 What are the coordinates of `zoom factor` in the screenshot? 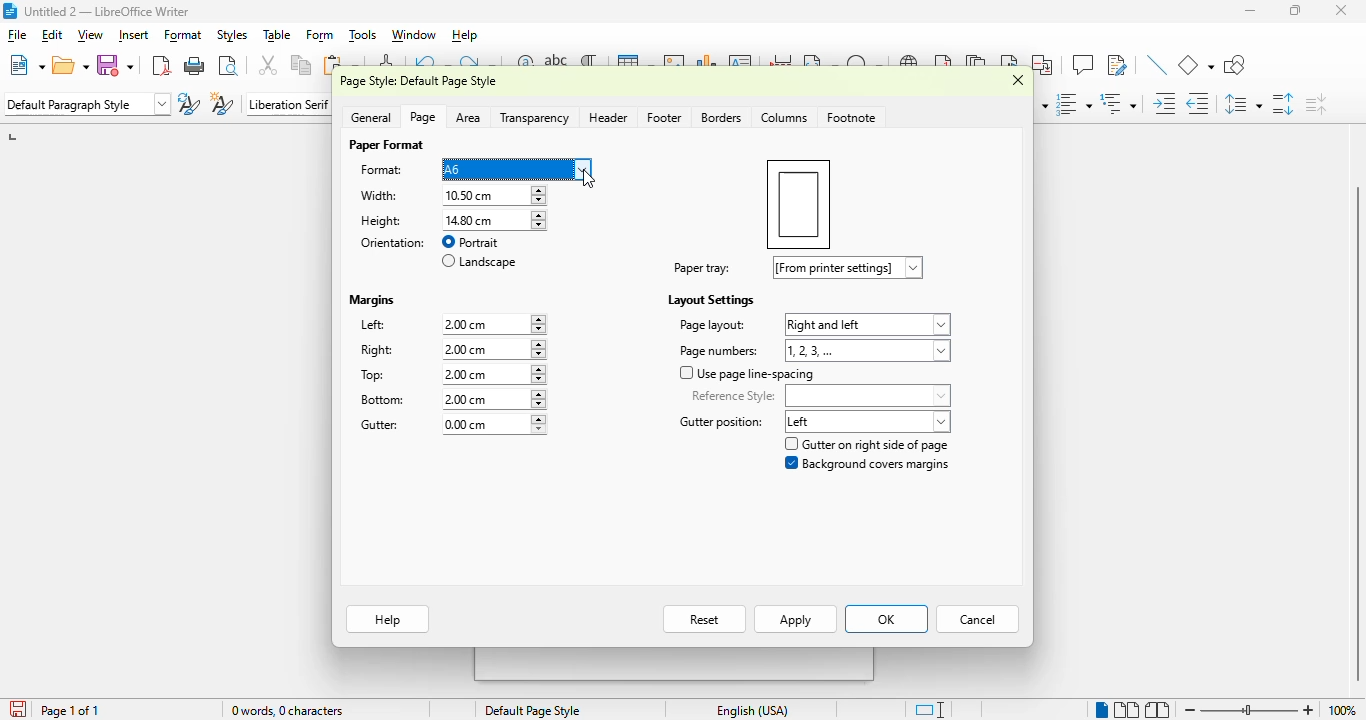 It's located at (1343, 710).